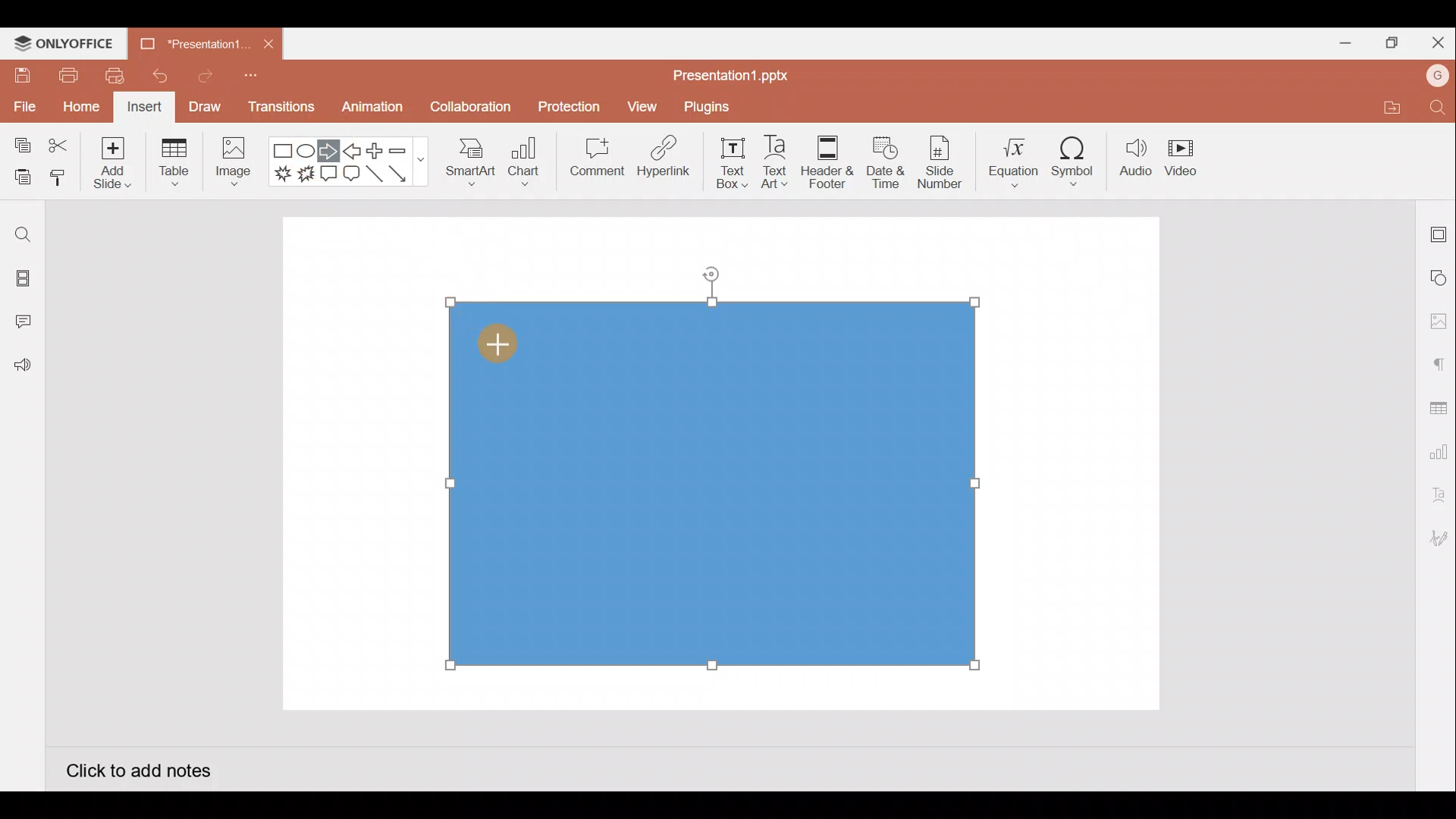  Describe the element at coordinates (469, 159) in the screenshot. I see `SmartArt` at that location.